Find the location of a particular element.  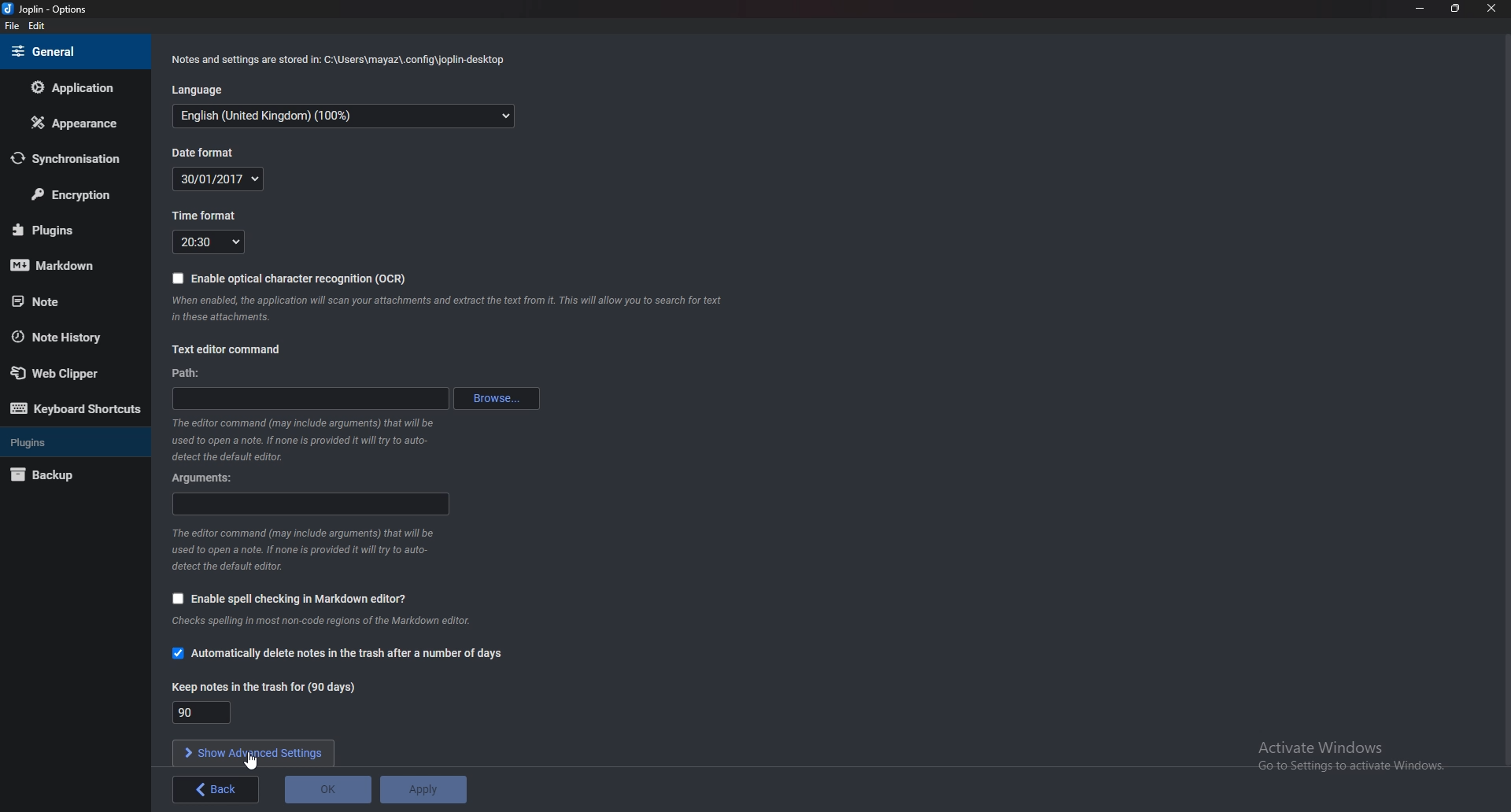

cursor is located at coordinates (250, 760).